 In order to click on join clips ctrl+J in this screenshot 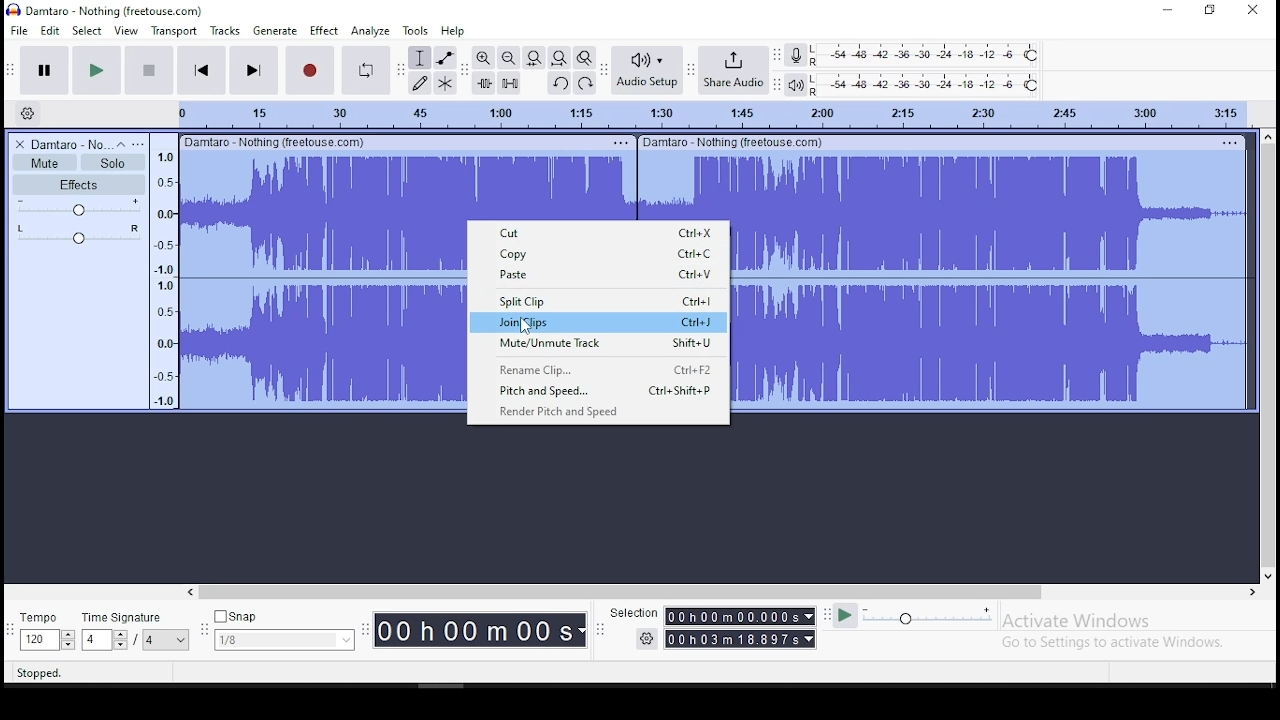, I will do `click(598, 322)`.